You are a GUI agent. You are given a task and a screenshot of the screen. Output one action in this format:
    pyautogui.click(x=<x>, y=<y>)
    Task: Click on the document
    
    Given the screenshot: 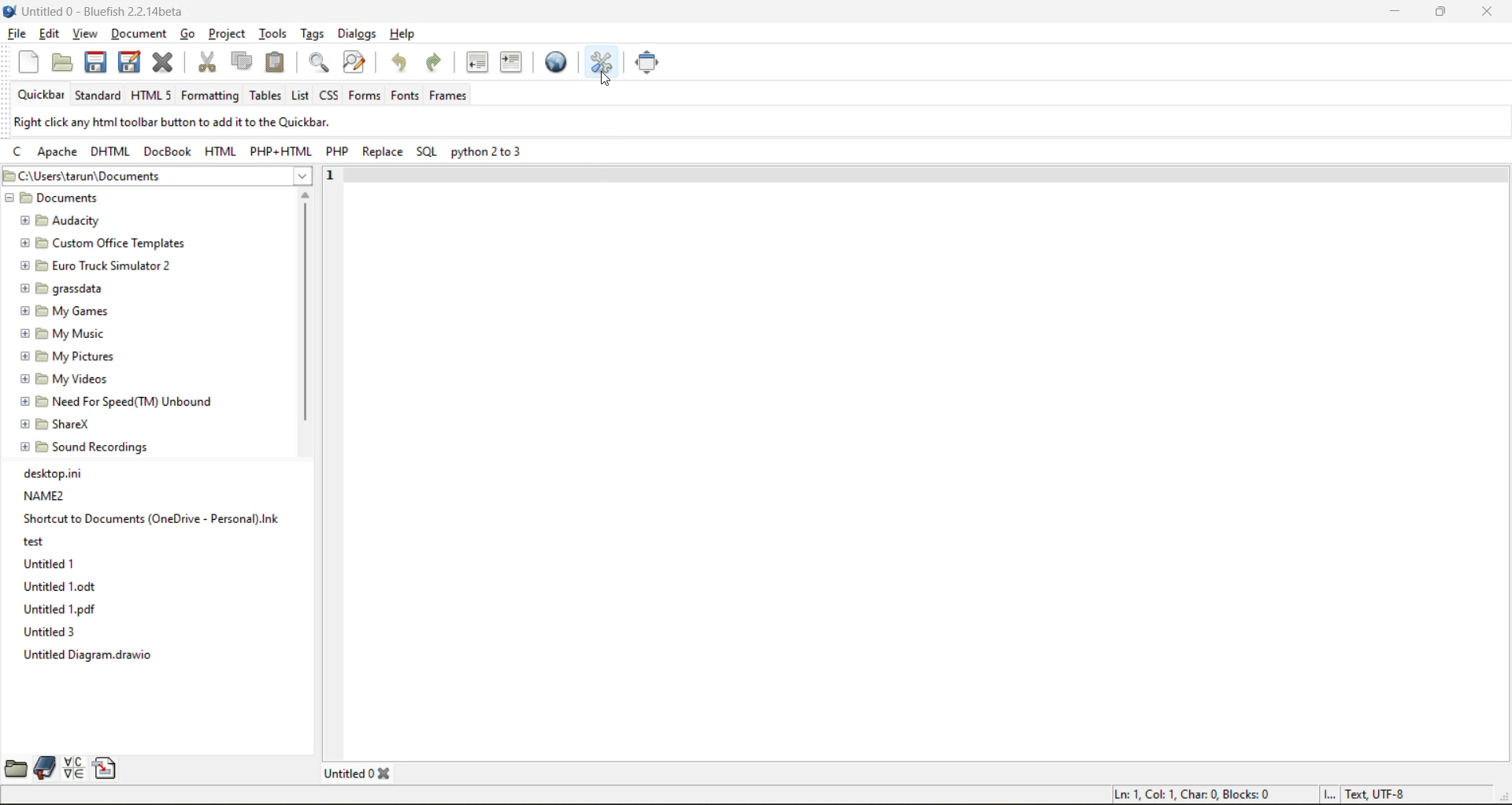 What is the action you would take?
    pyautogui.click(x=141, y=36)
    